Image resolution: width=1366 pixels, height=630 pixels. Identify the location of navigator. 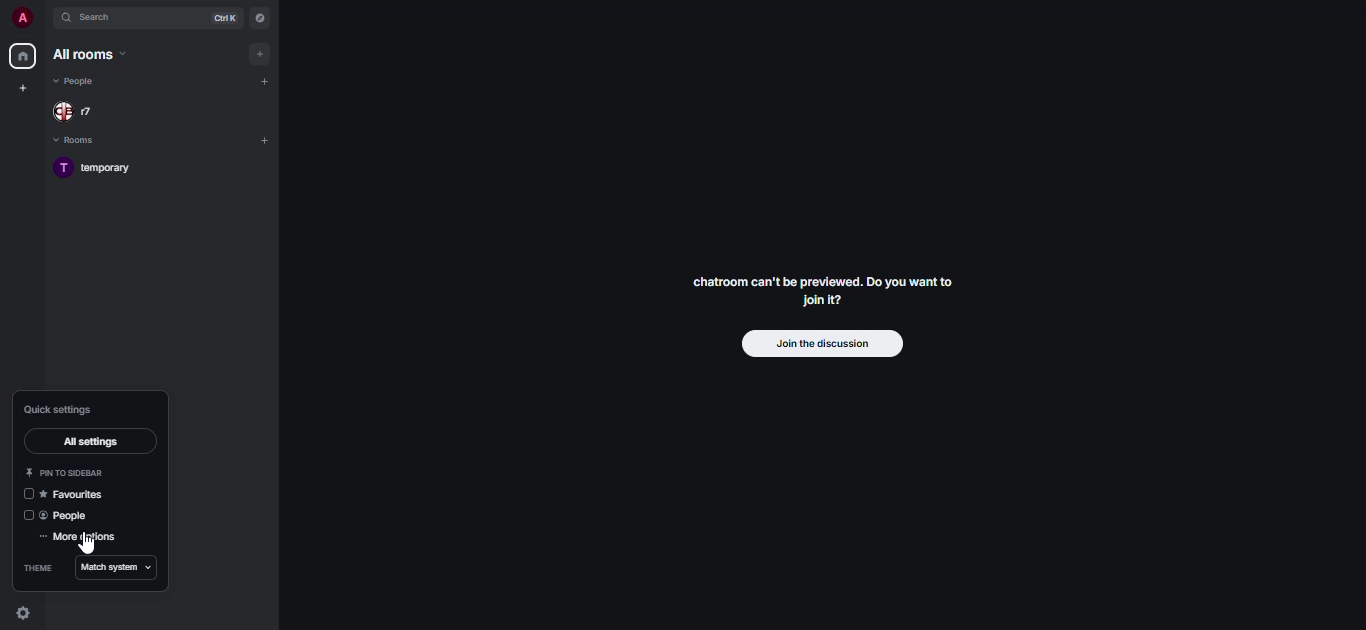
(261, 18).